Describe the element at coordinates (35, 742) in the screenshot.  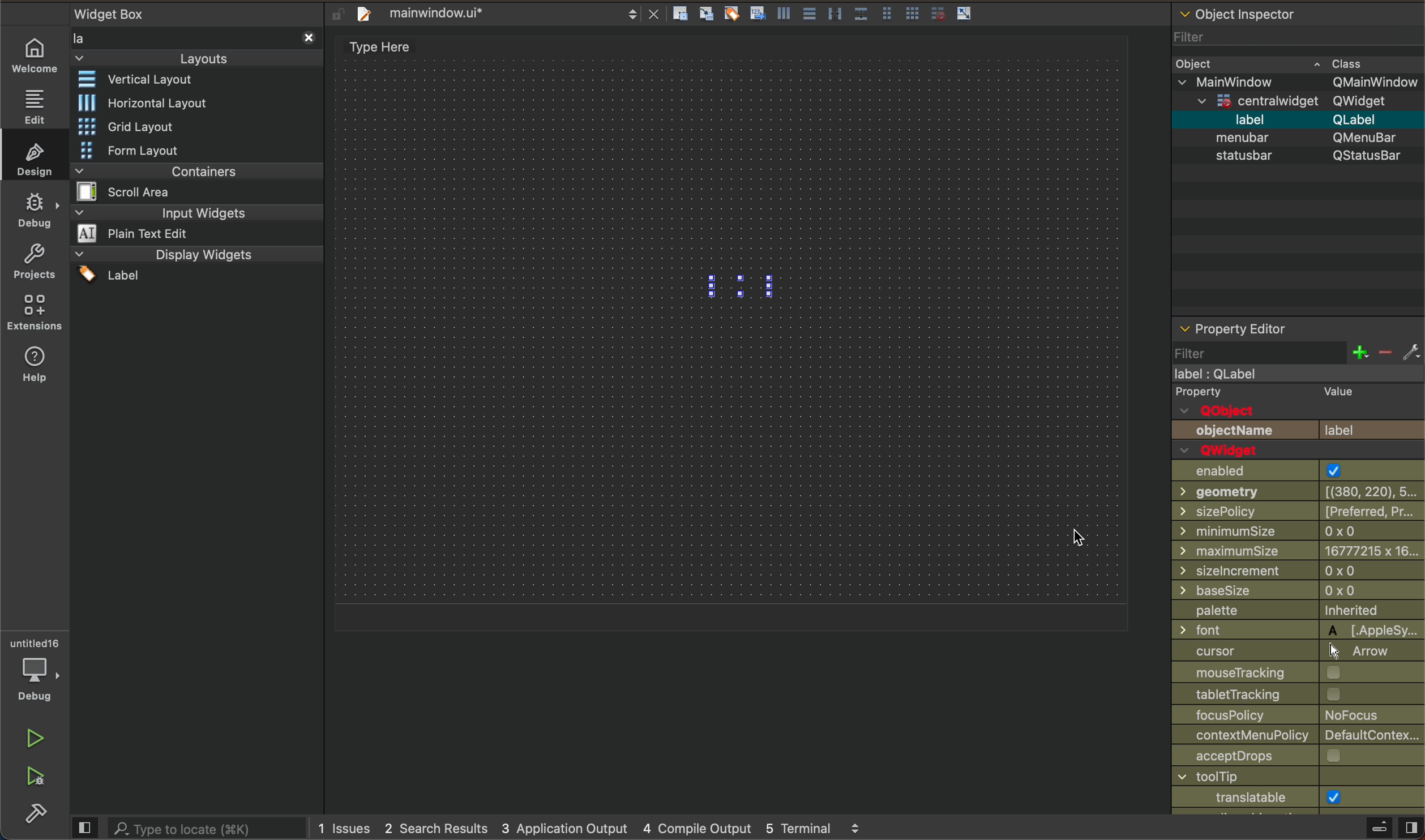
I see `run` at that location.